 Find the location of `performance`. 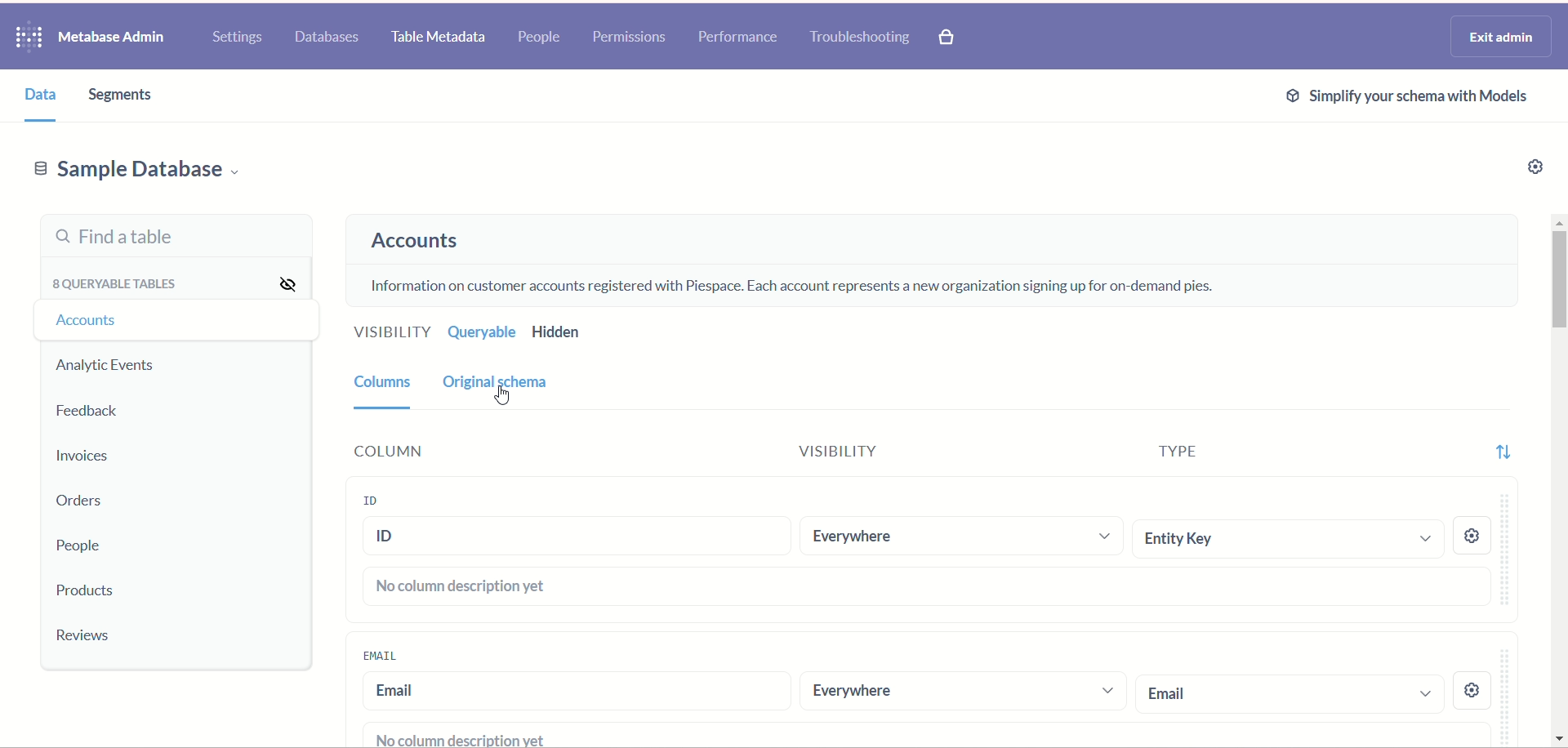

performance is located at coordinates (742, 36).